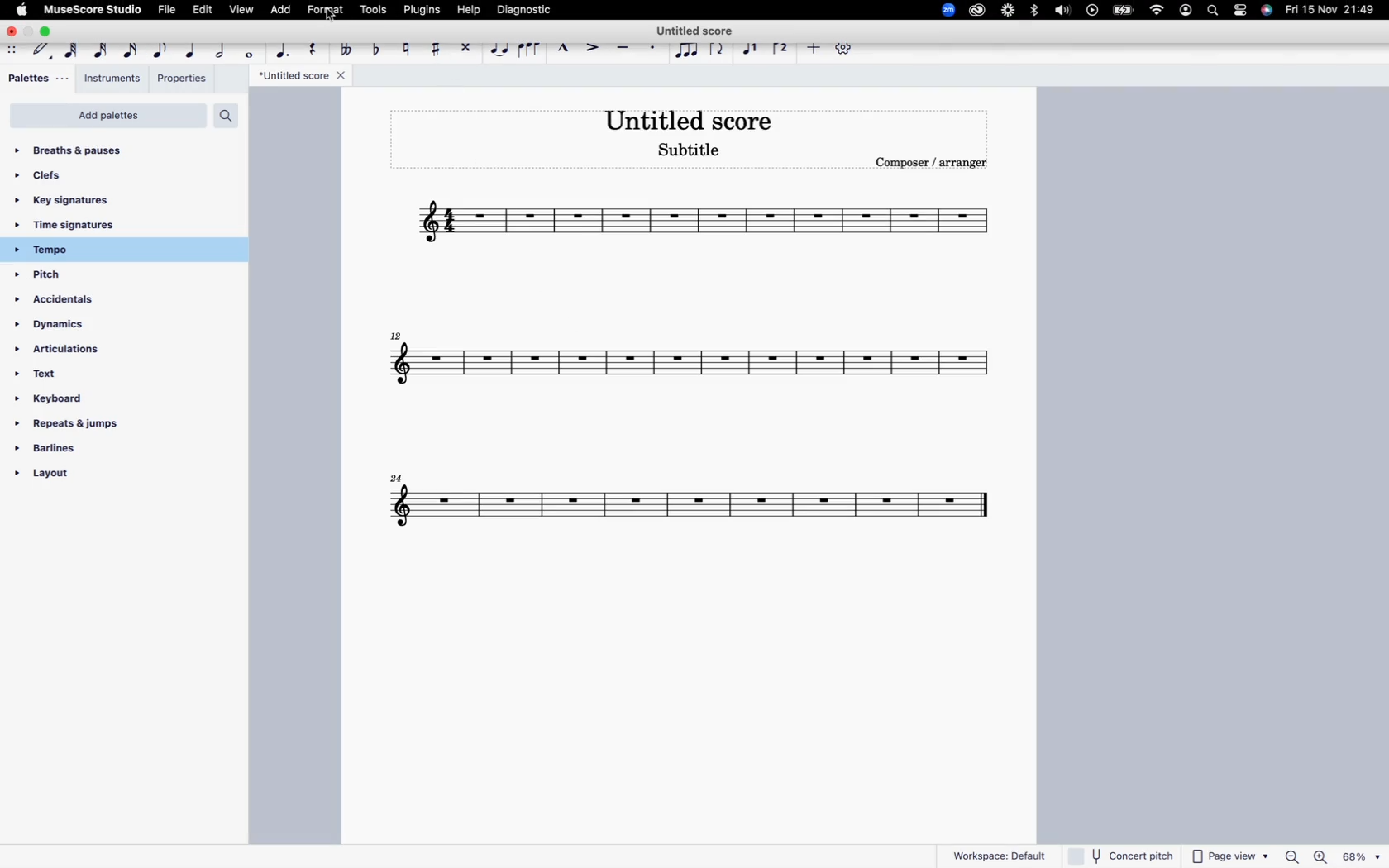  What do you see at coordinates (753, 48) in the screenshot?
I see `voice 1` at bounding box center [753, 48].